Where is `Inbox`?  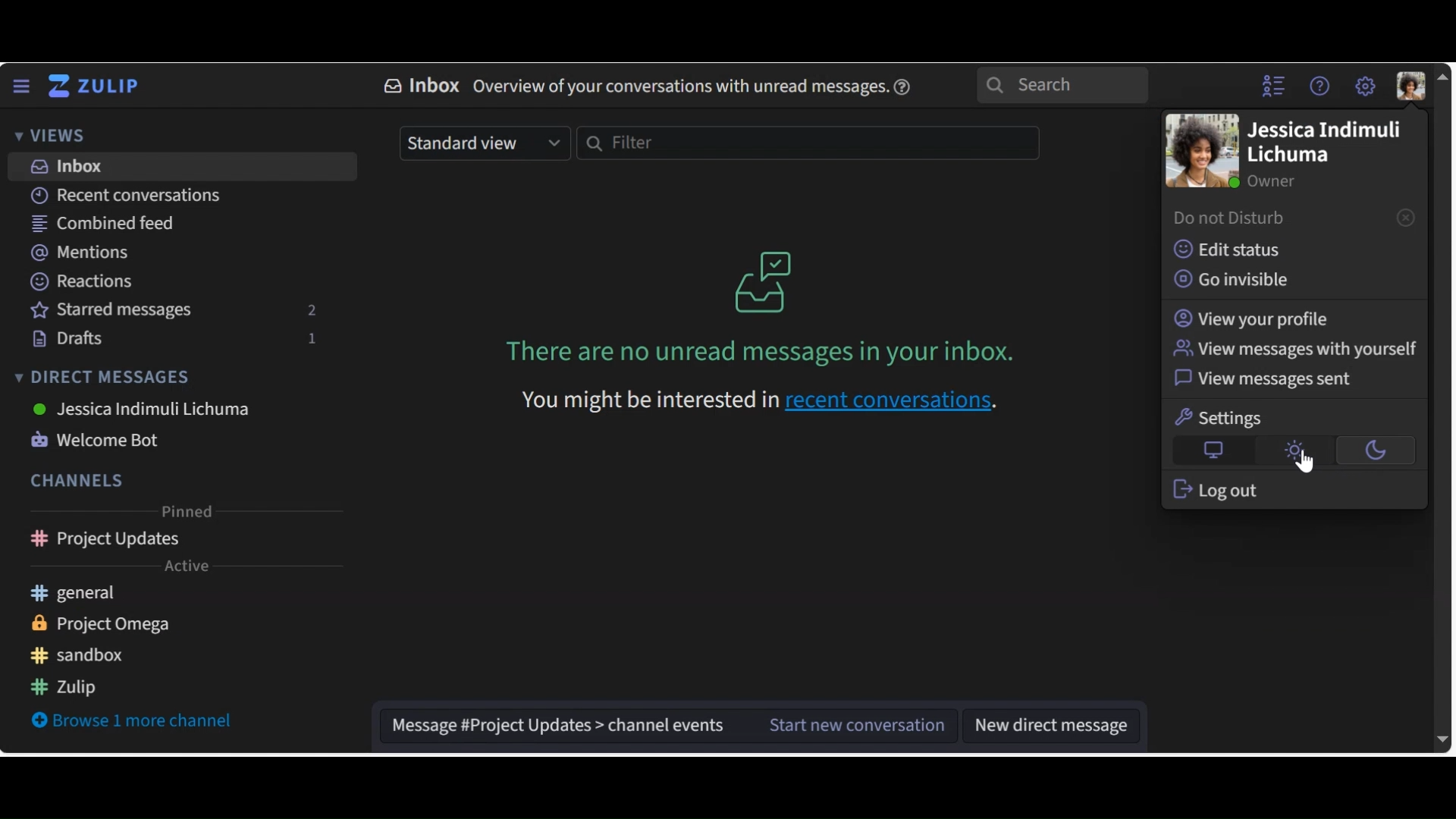
Inbox is located at coordinates (184, 167).